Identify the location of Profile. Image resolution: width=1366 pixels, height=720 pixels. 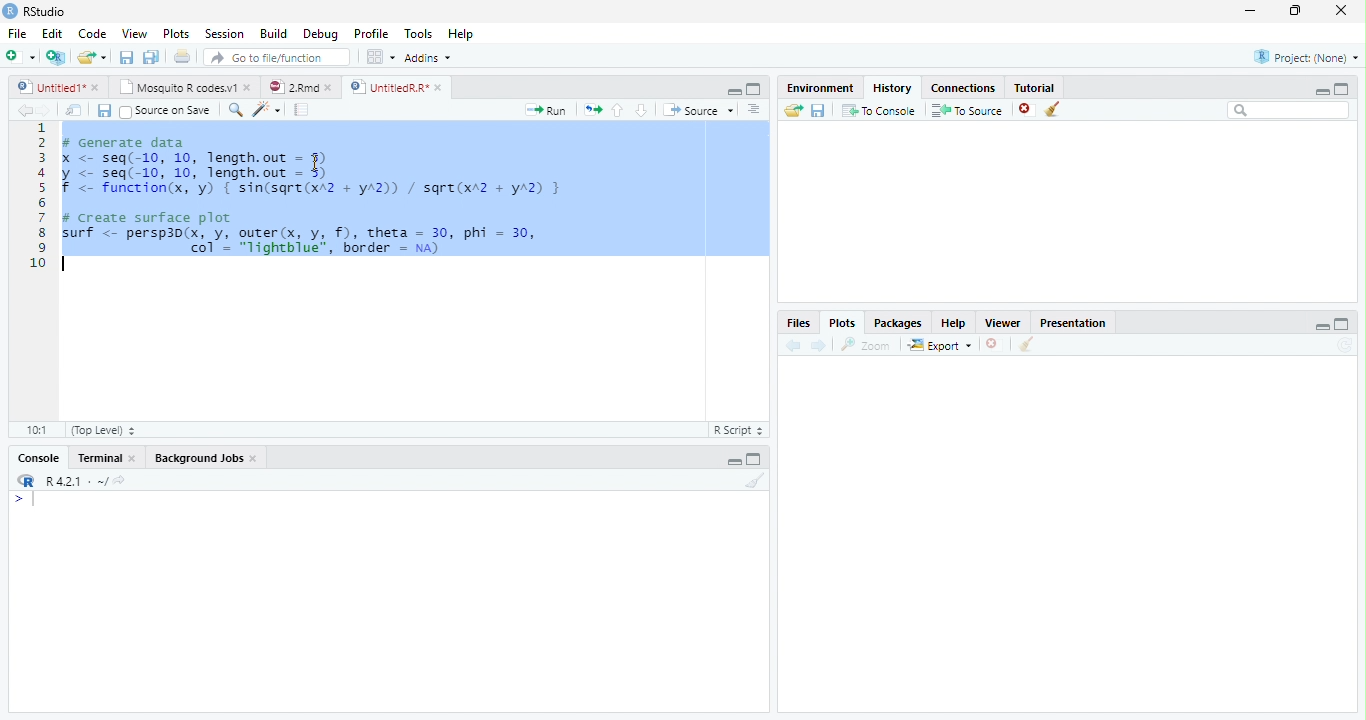
(372, 33).